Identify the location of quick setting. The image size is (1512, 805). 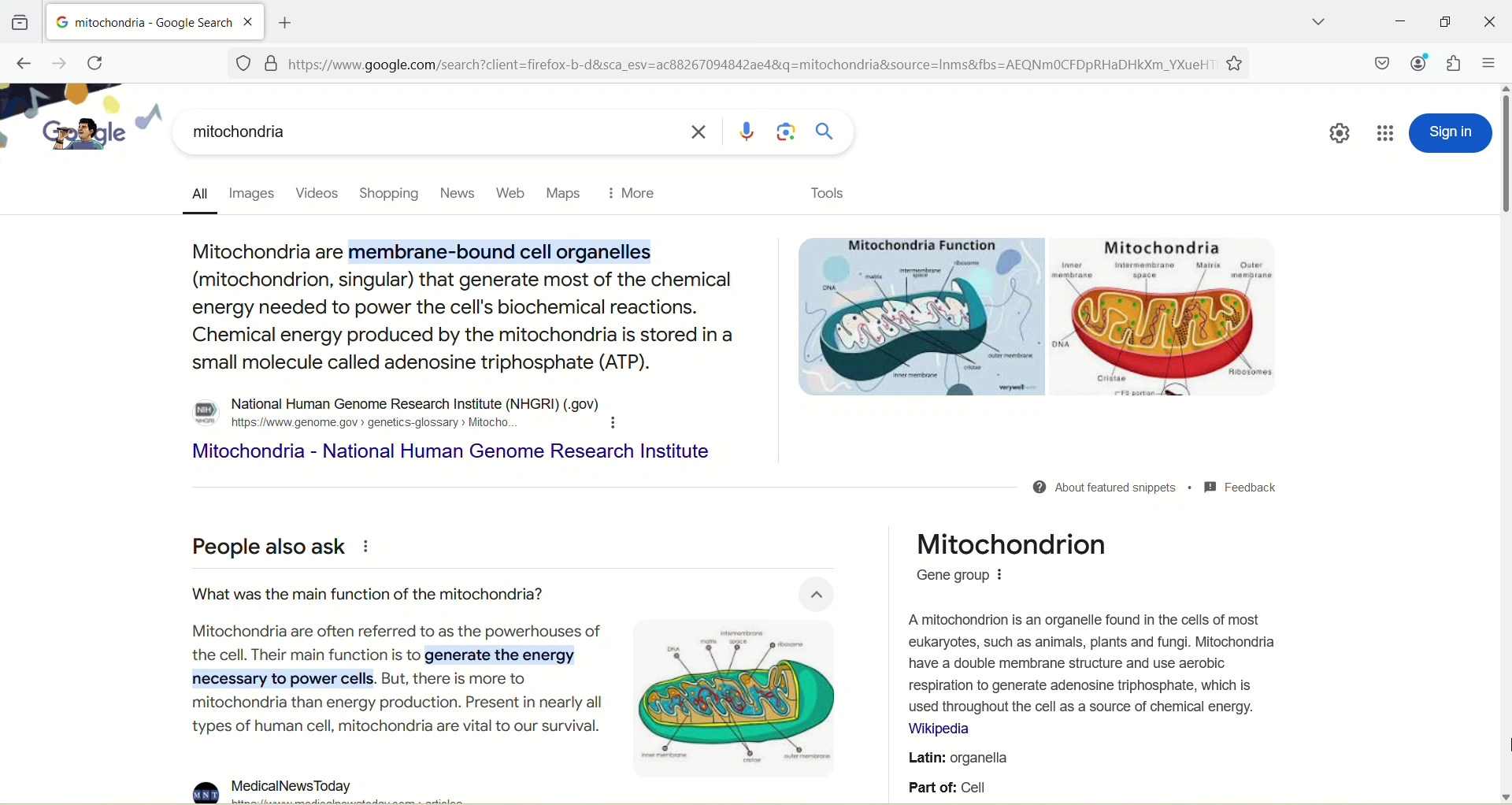
(1340, 133).